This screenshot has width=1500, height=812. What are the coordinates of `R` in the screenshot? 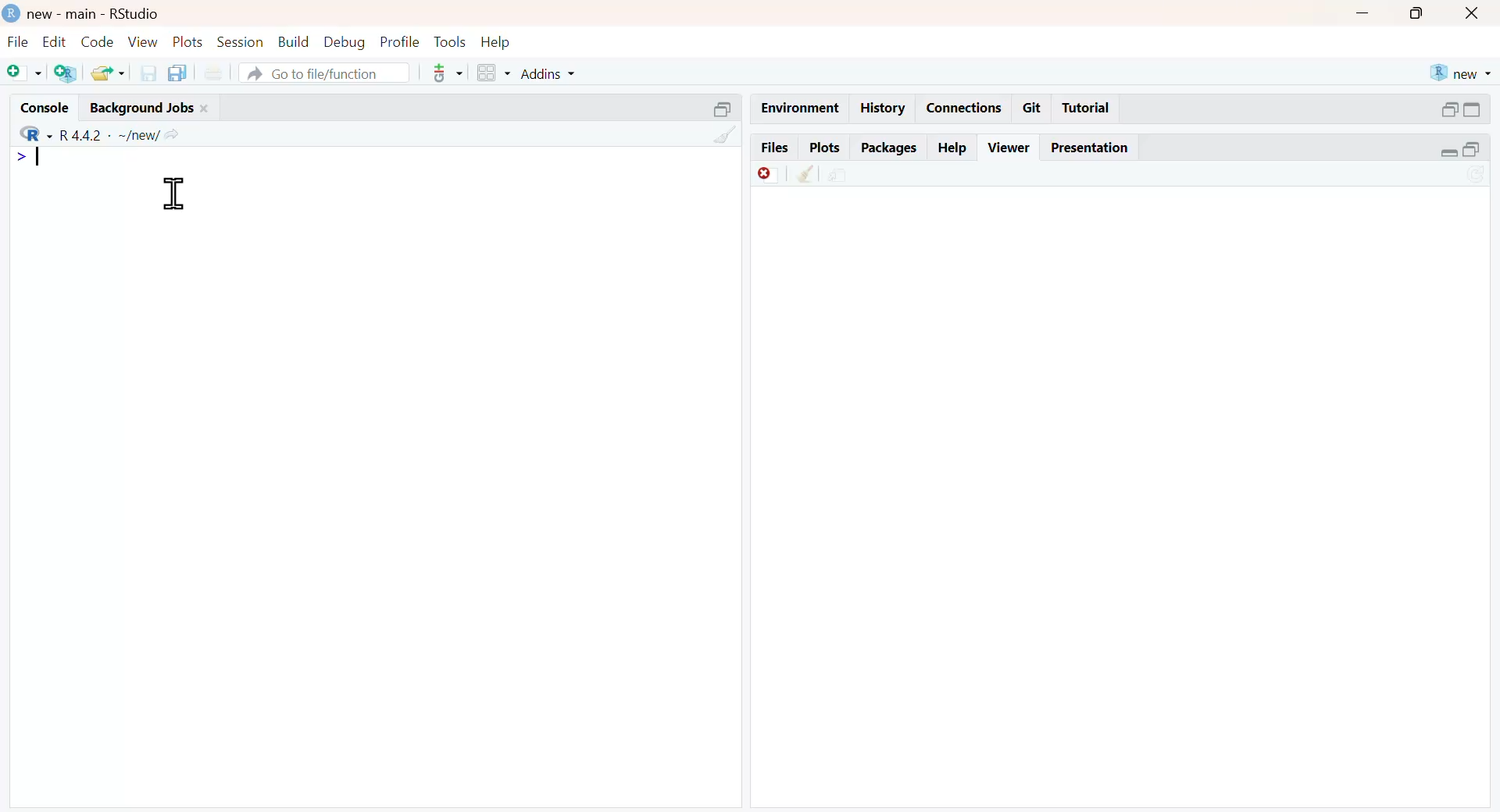 It's located at (37, 134).